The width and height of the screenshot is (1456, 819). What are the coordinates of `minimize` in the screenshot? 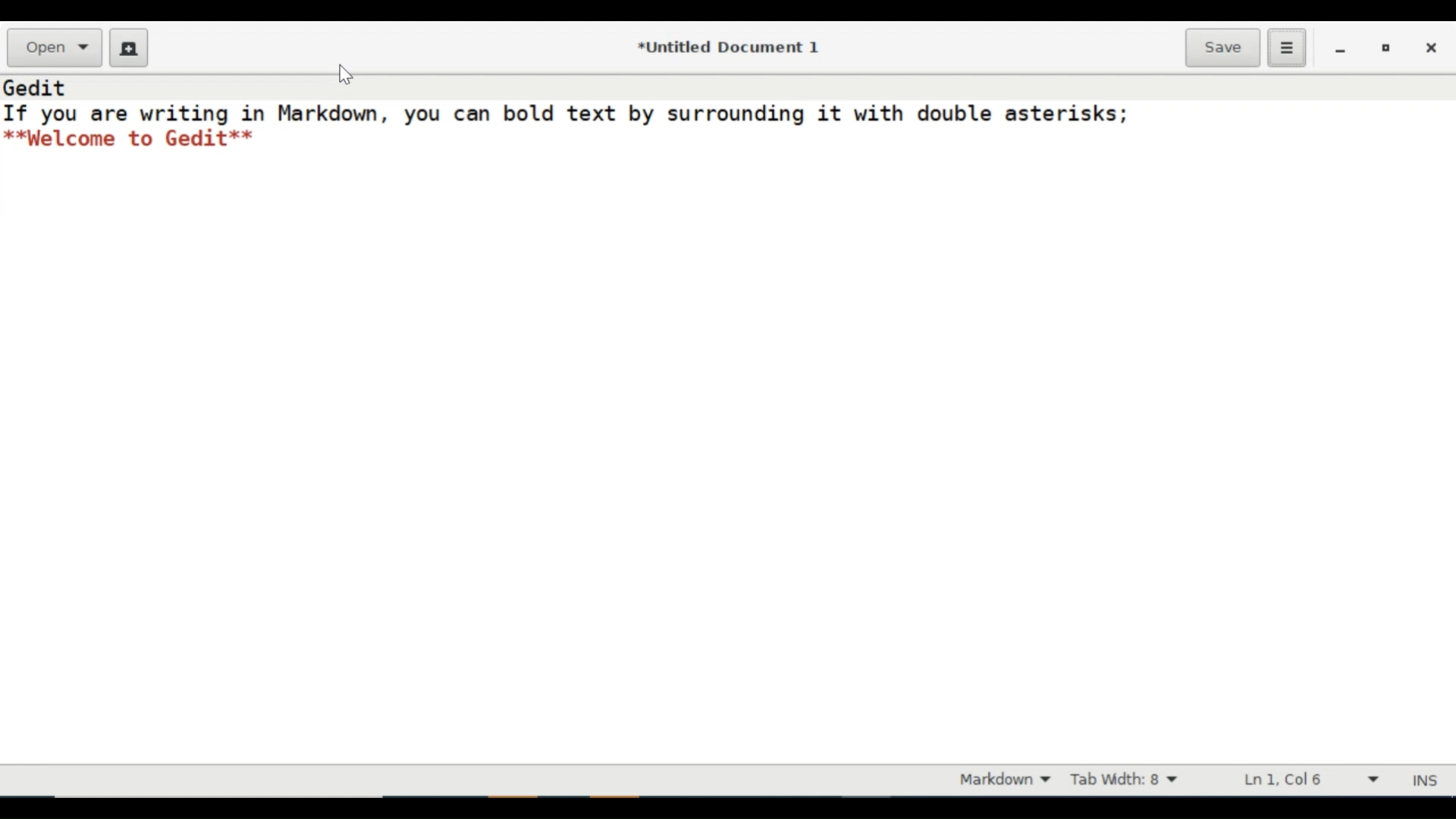 It's located at (1345, 48).